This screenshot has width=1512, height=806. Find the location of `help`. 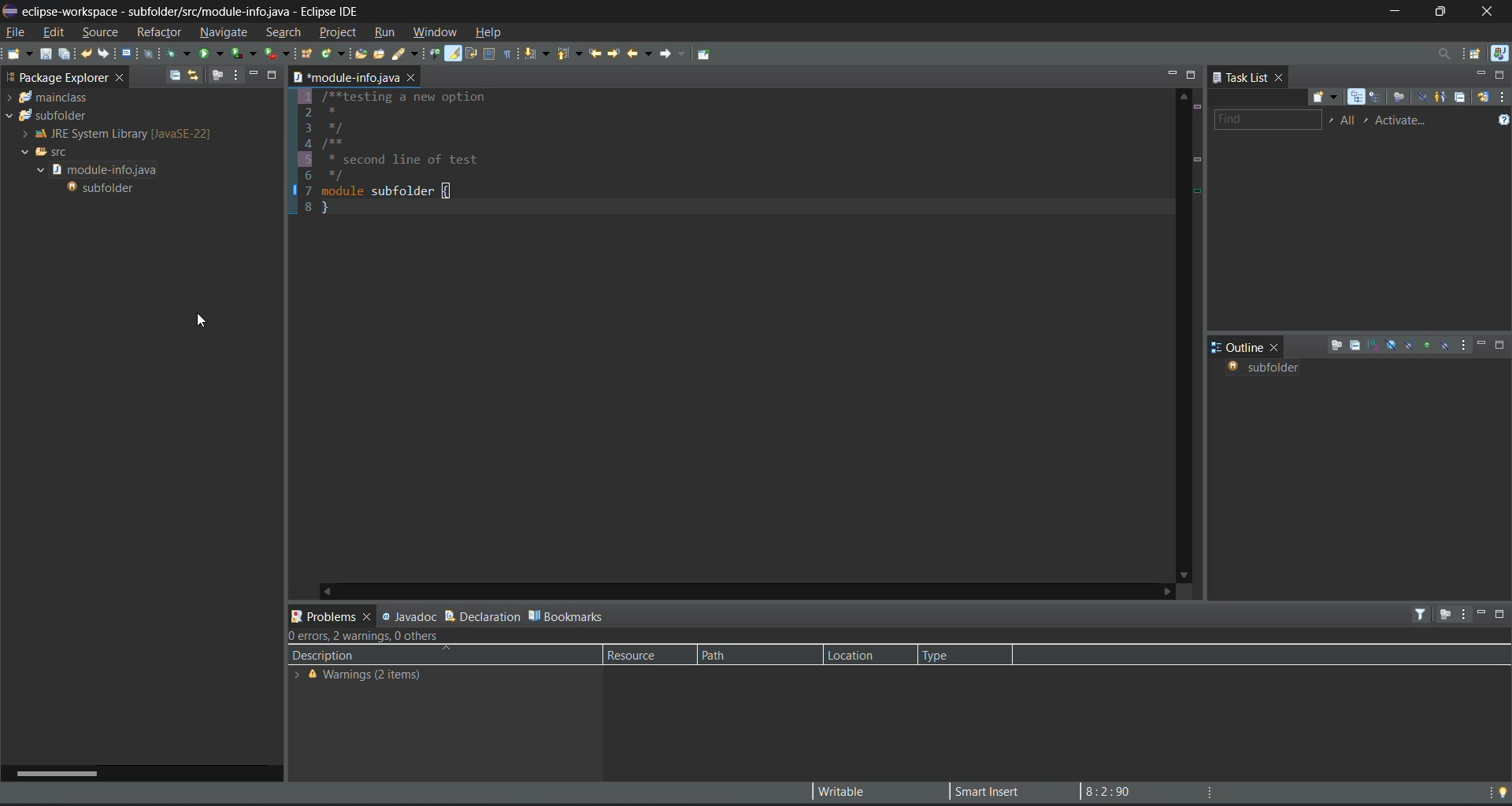

help is located at coordinates (492, 34).